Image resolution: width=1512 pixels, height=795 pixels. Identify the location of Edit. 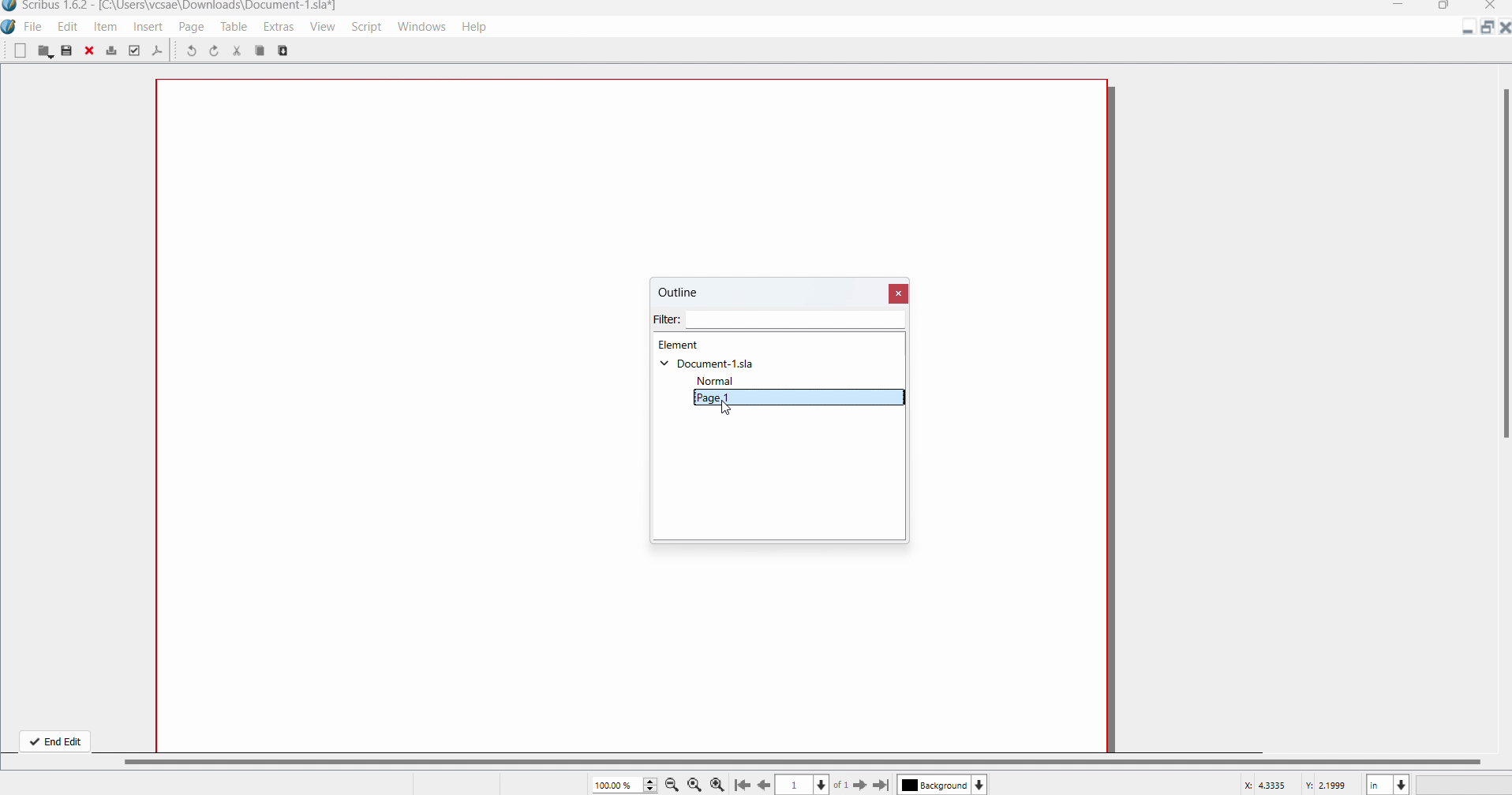
(67, 28).